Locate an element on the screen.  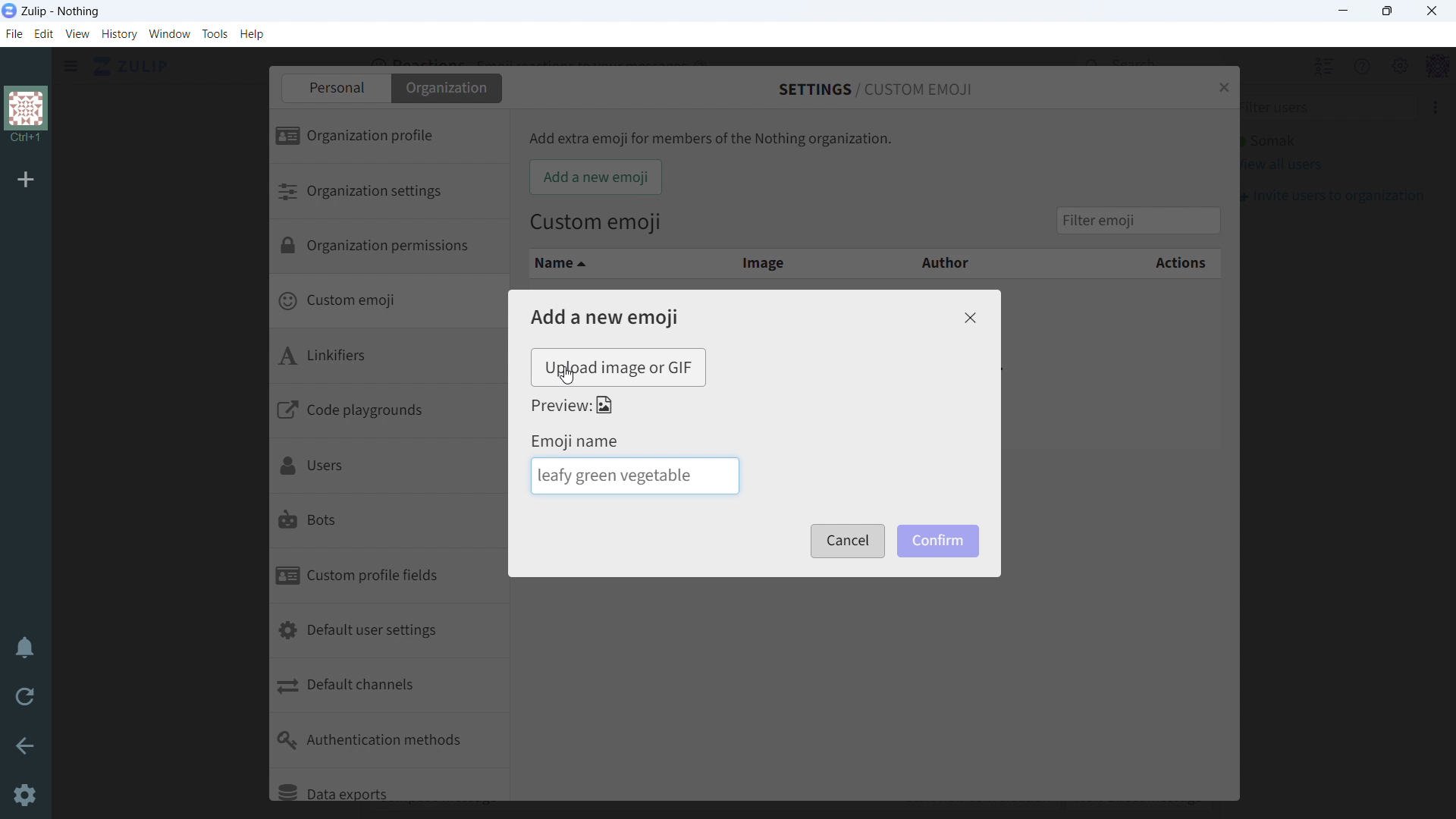
close is located at coordinates (969, 318).